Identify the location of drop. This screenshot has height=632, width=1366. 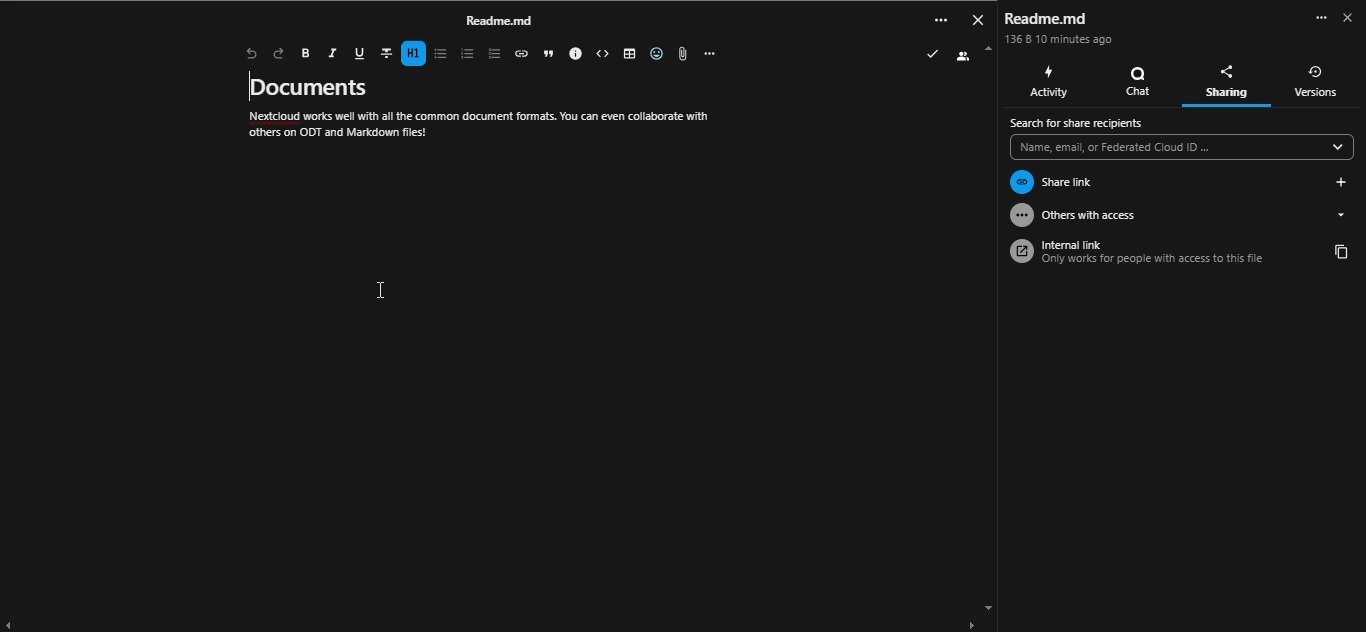
(1340, 215).